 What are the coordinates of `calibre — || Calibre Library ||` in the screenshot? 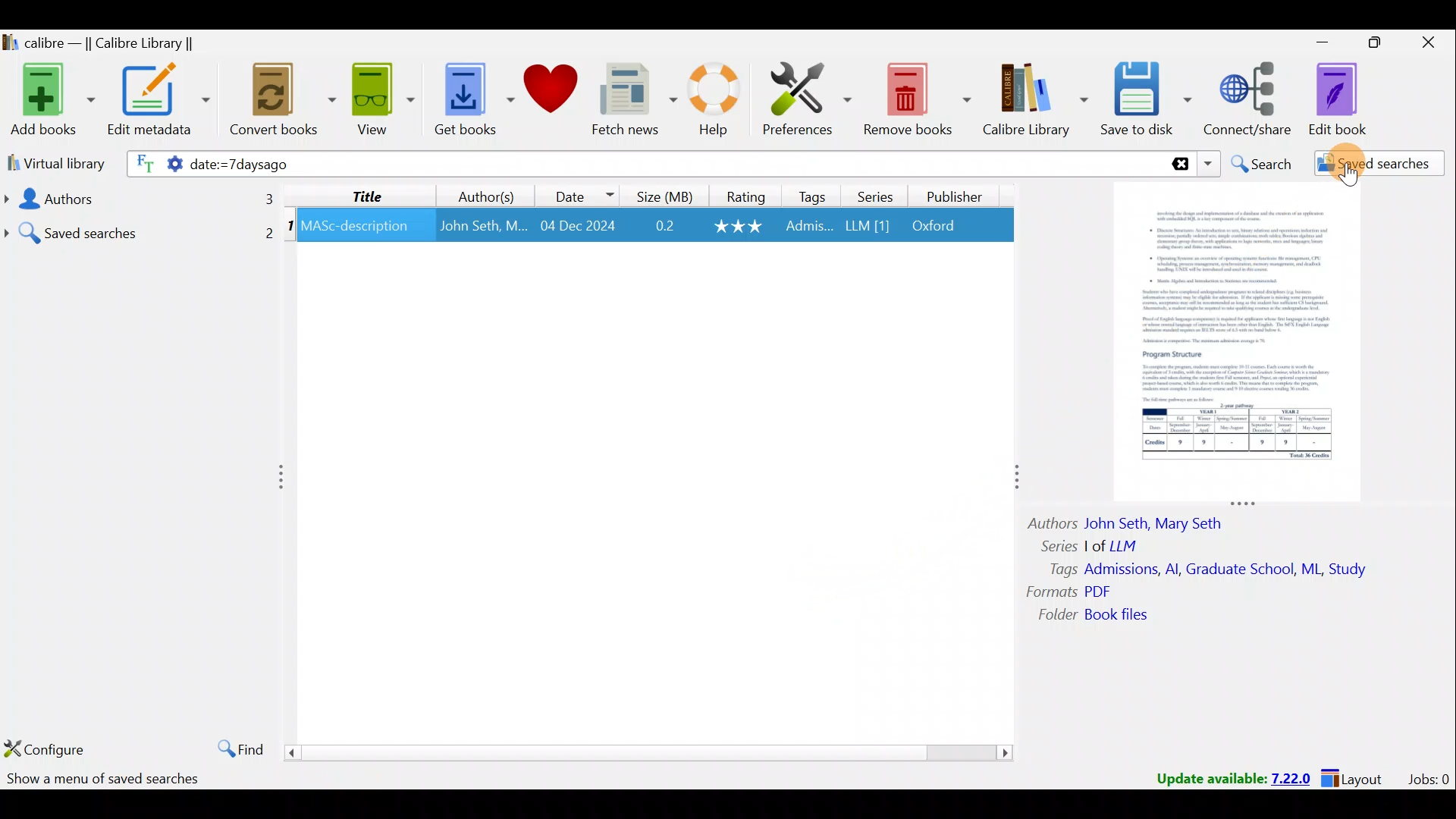 It's located at (118, 42).